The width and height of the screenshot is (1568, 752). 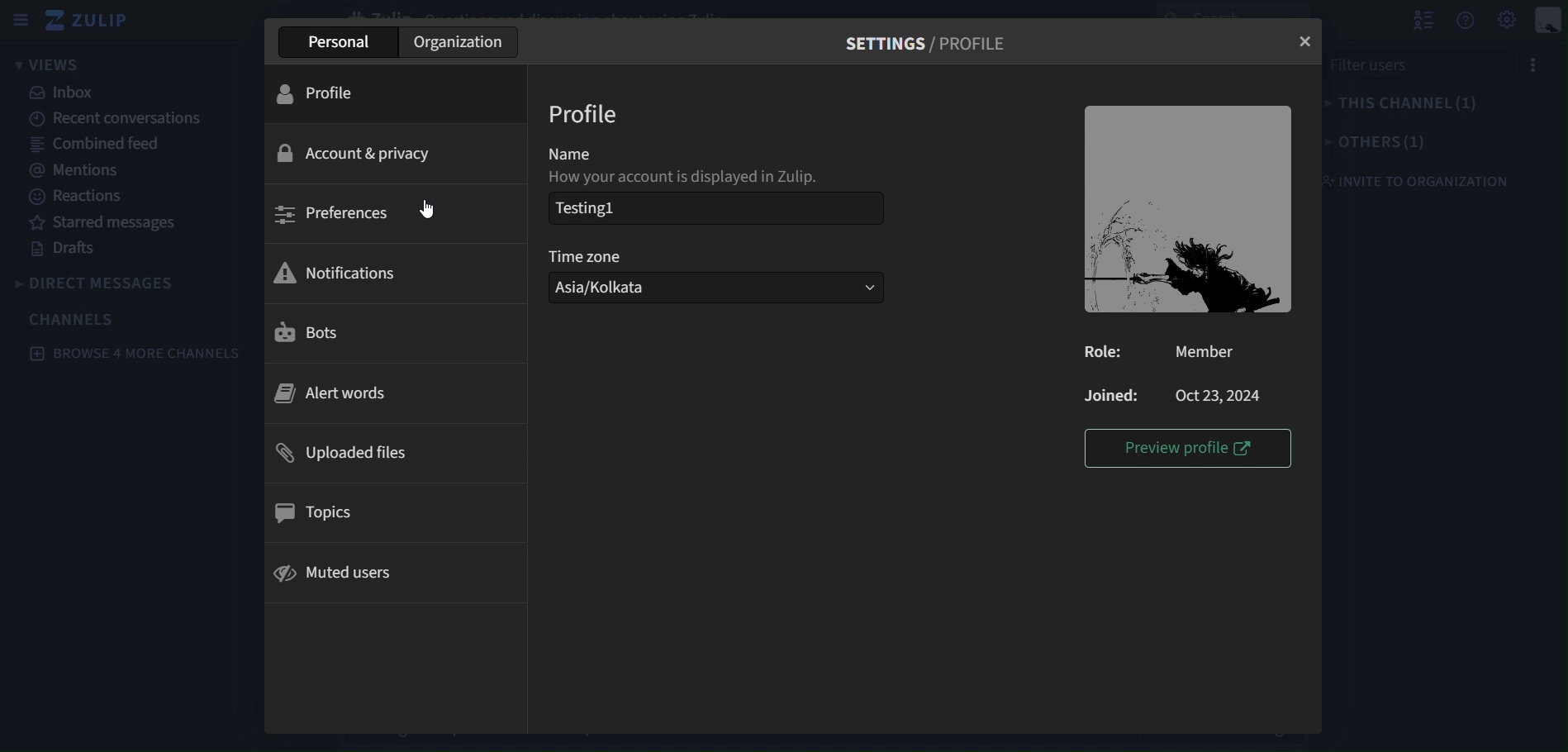 What do you see at coordinates (713, 288) in the screenshot?
I see `Asia/Kolkata` at bounding box center [713, 288].